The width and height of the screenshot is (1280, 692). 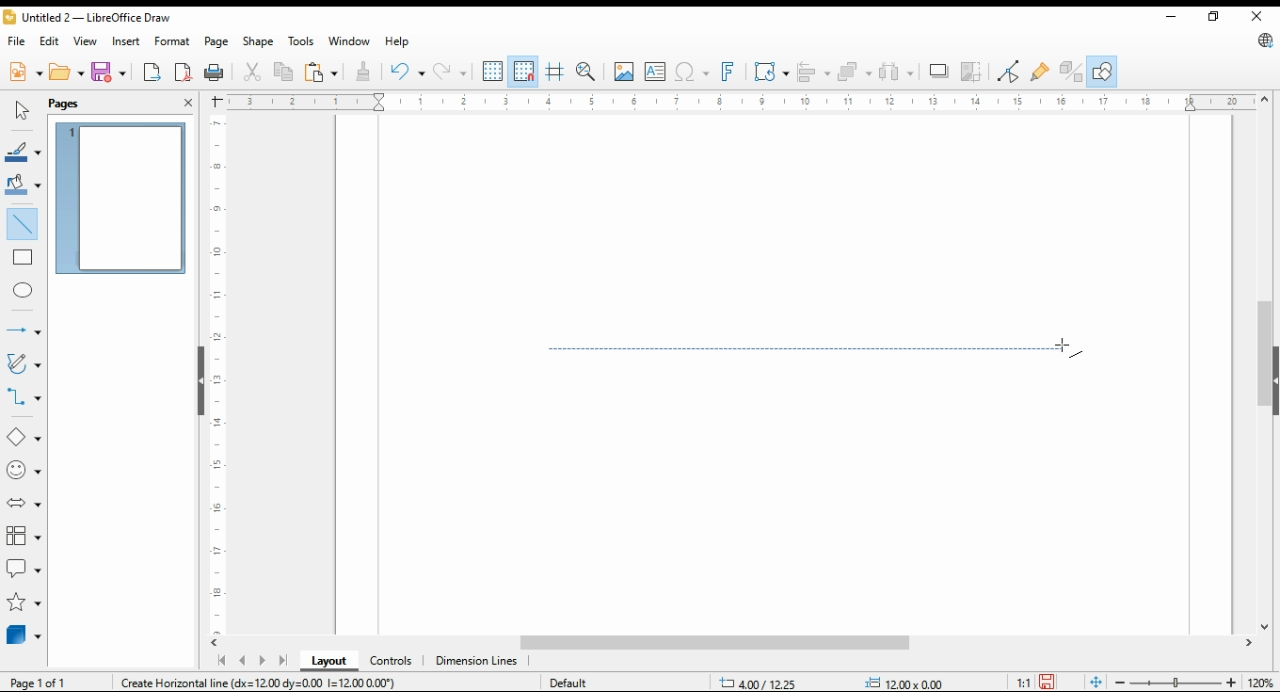 What do you see at coordinates (25, 70) in the screenshot?
I see `new` at bounding box center [25, 70].